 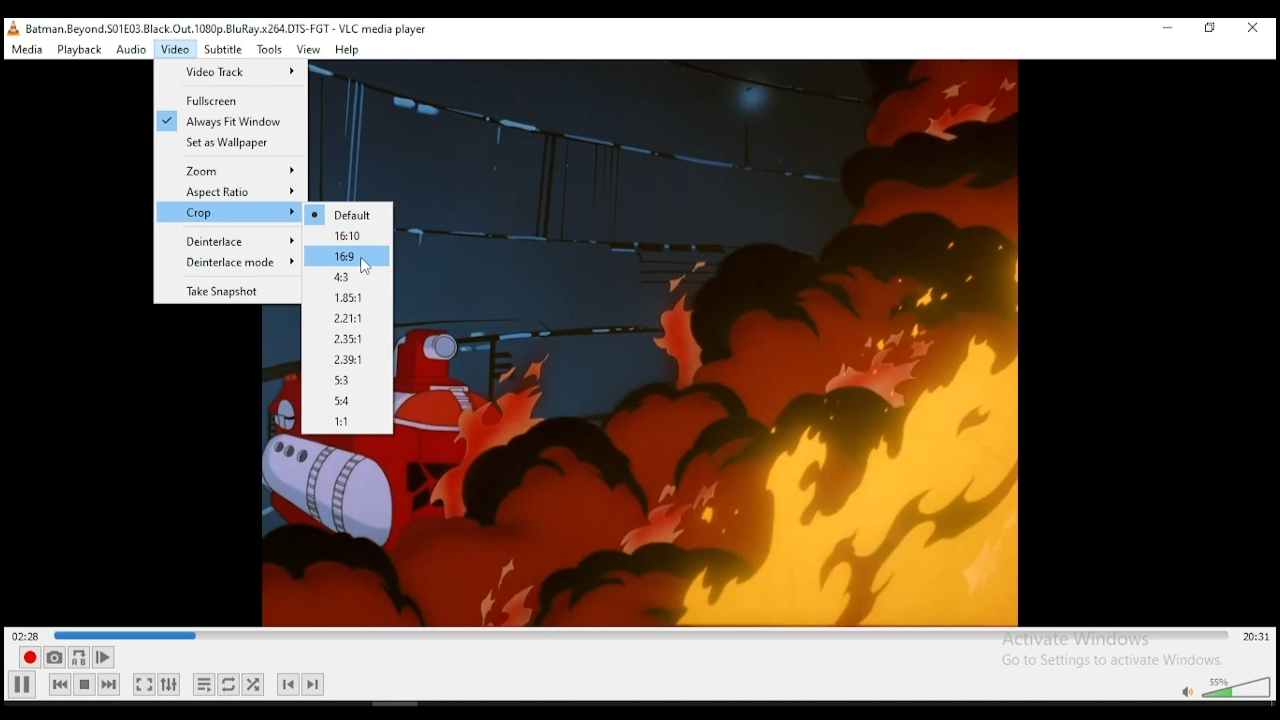 What do you see at coordinates (253, 683) in the screenshot?
I see `show extended settings` at bounding box center [253, 683].